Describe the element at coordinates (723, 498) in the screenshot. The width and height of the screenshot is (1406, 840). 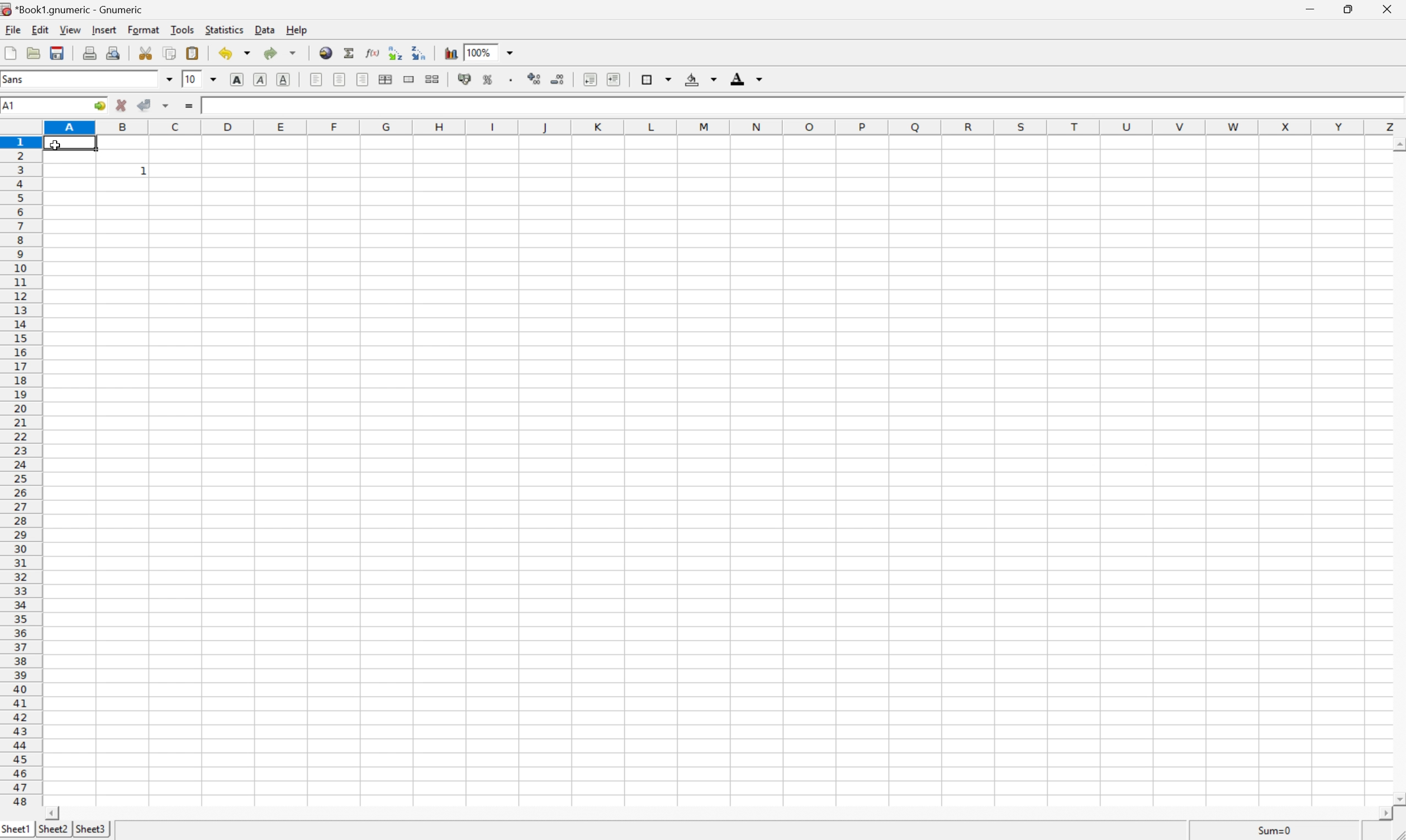
I see `Cells` at that location.